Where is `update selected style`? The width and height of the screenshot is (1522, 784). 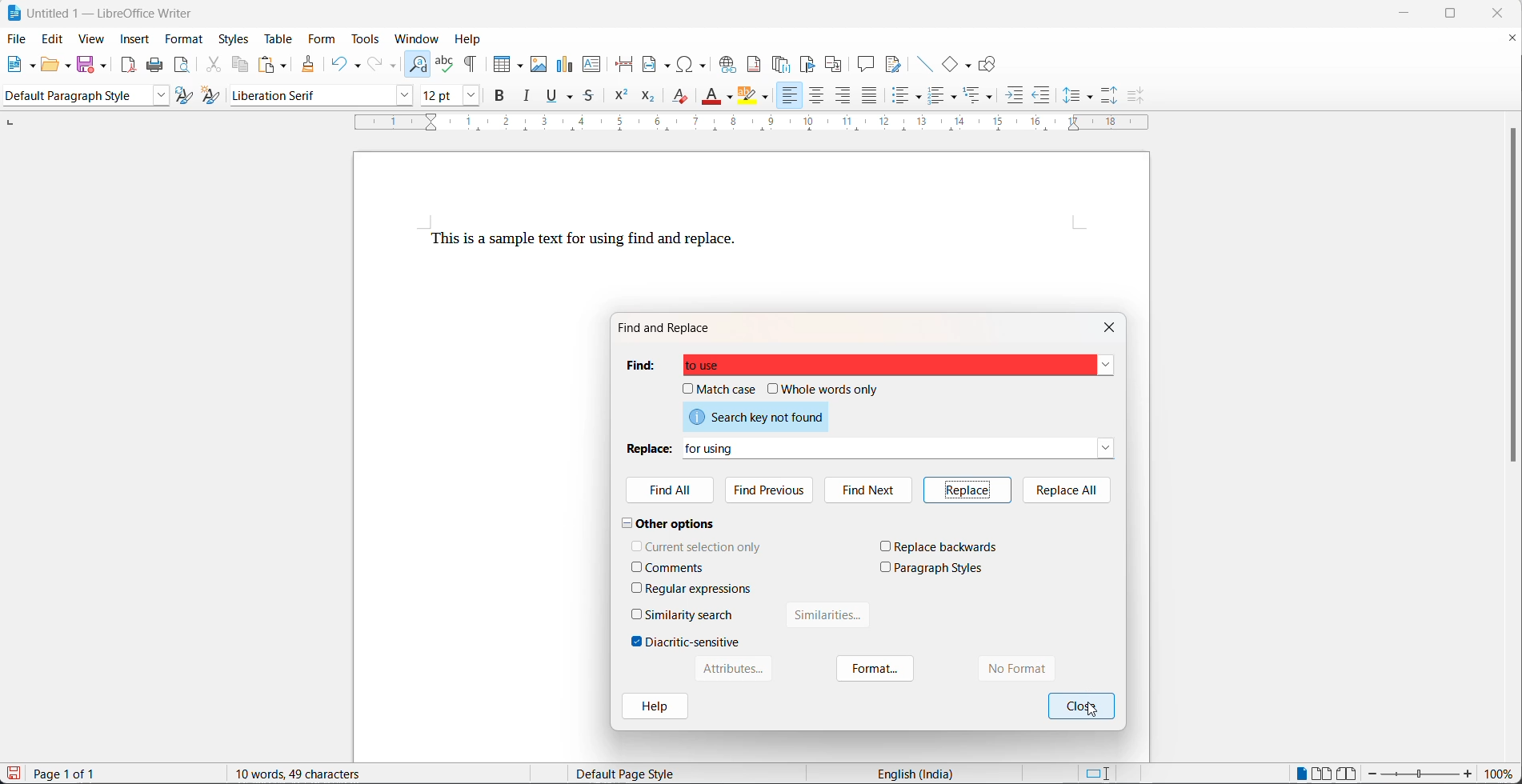 update selected style is located at coordinates (185, 96).